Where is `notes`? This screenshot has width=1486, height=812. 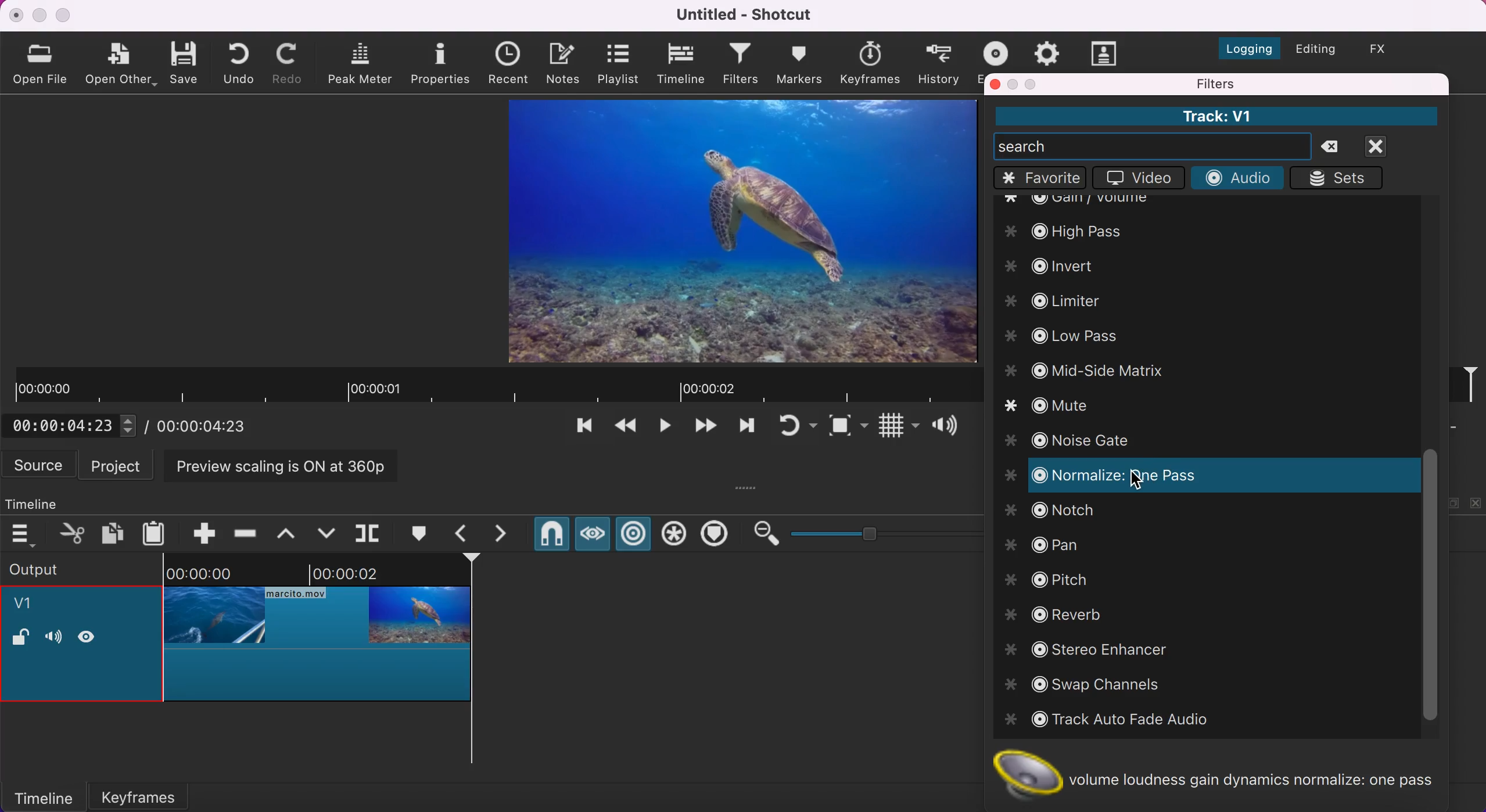
notes is located at coordinates (566, 62).